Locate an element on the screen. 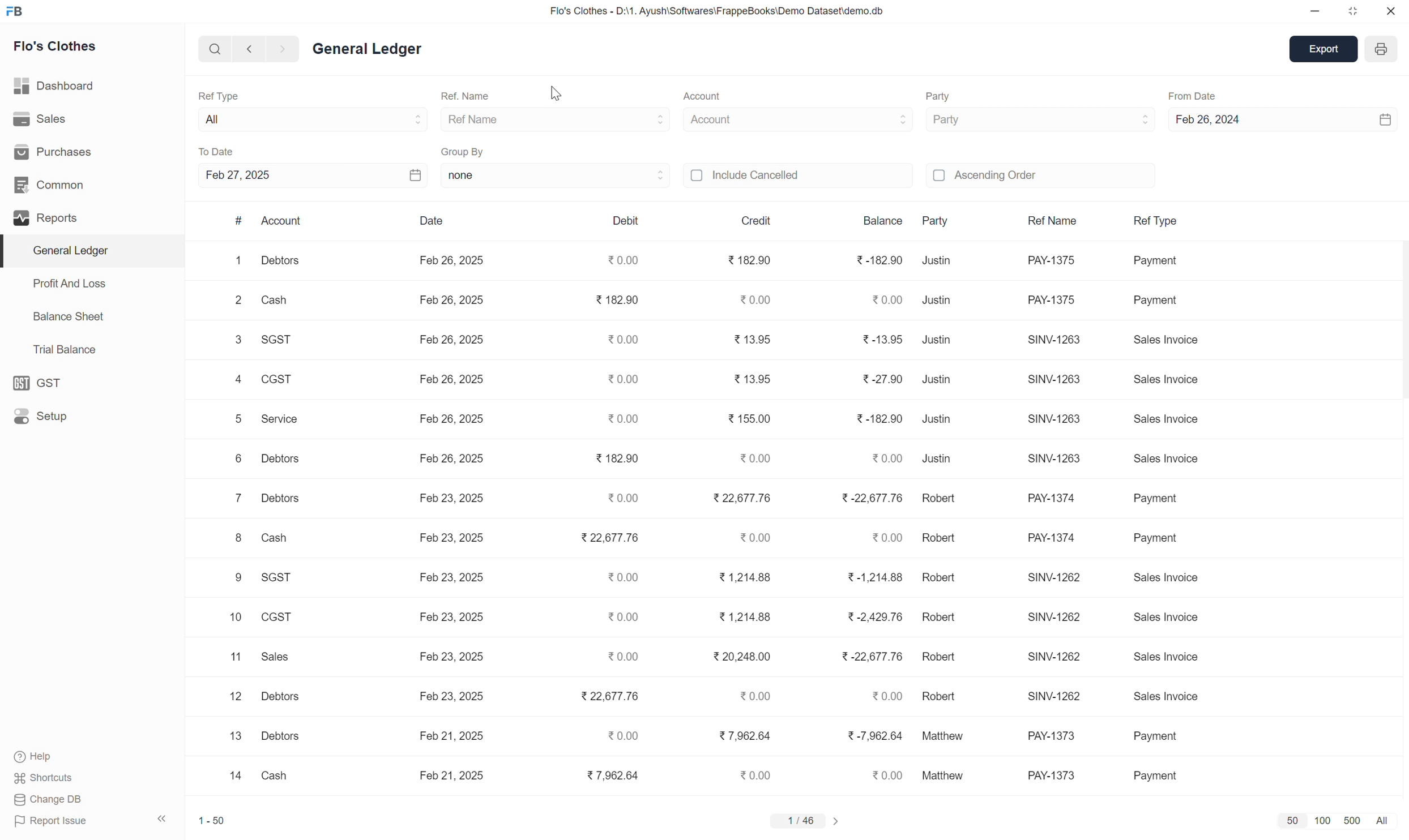 This screenshot has height=840, width=1409. CGST is located at coordinates (278, 618).